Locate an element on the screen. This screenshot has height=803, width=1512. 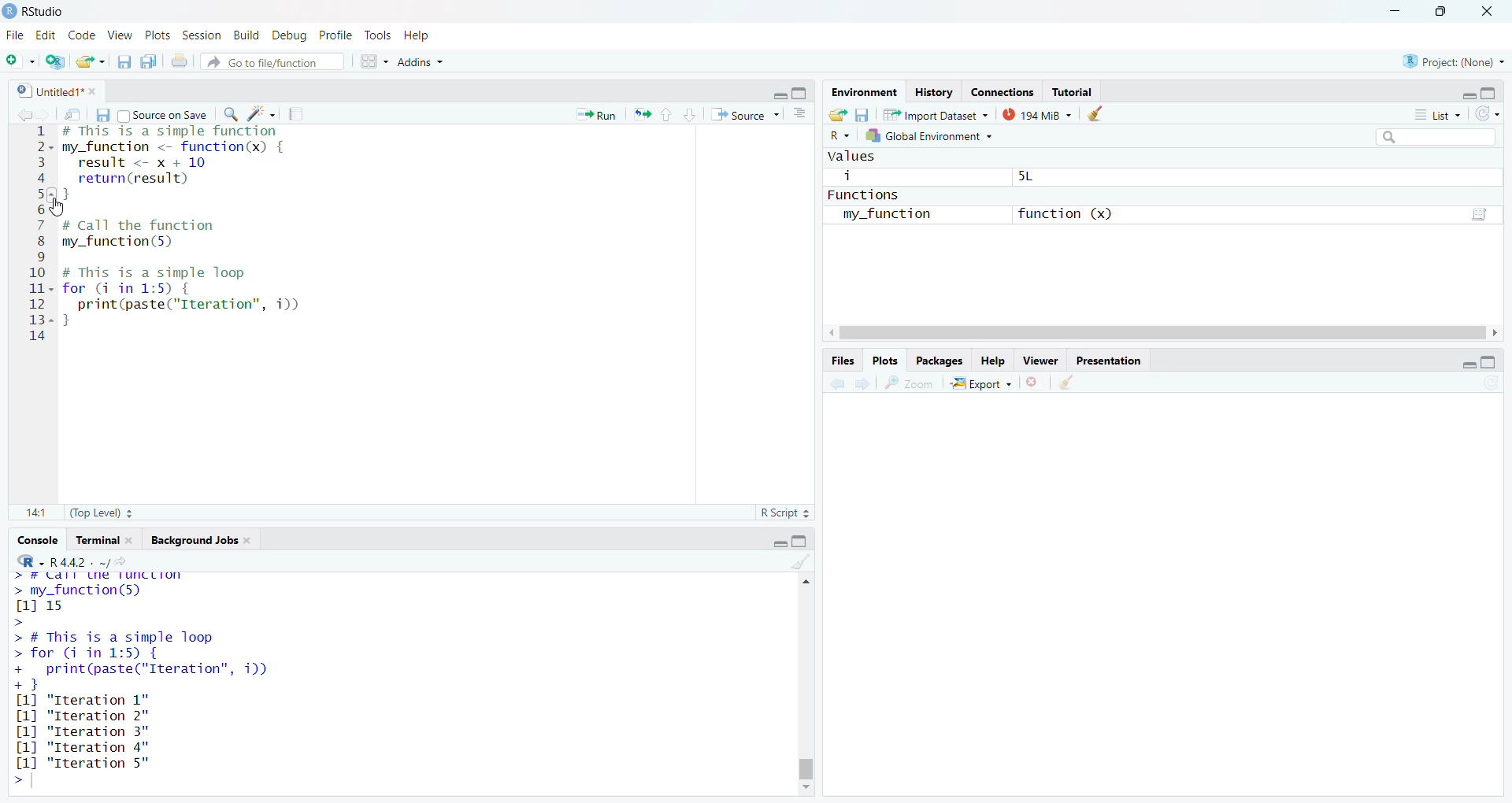
language select is located at coordinates (839, 137).